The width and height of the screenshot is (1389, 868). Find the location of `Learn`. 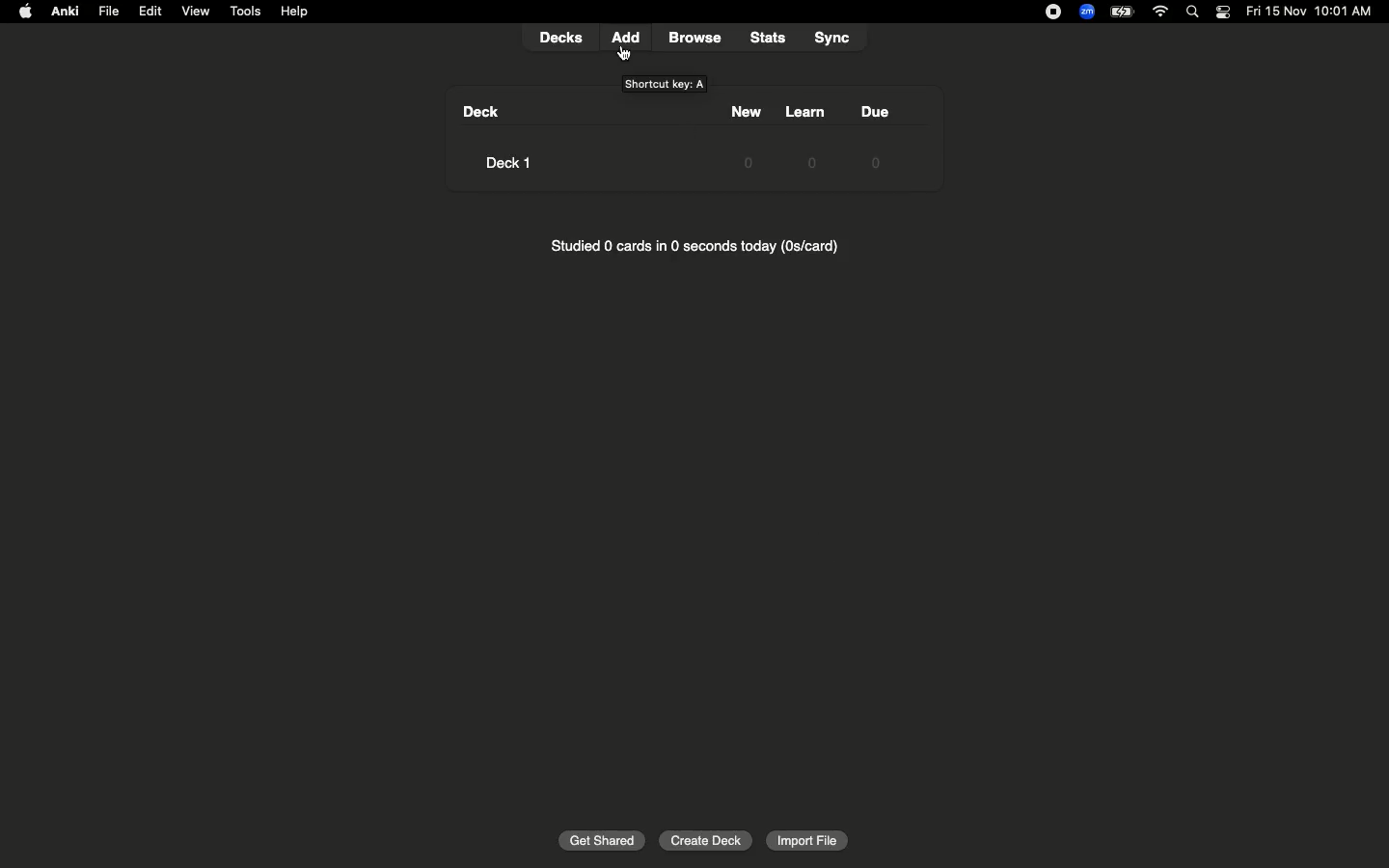

Learn is located at coordinates (806, 139).